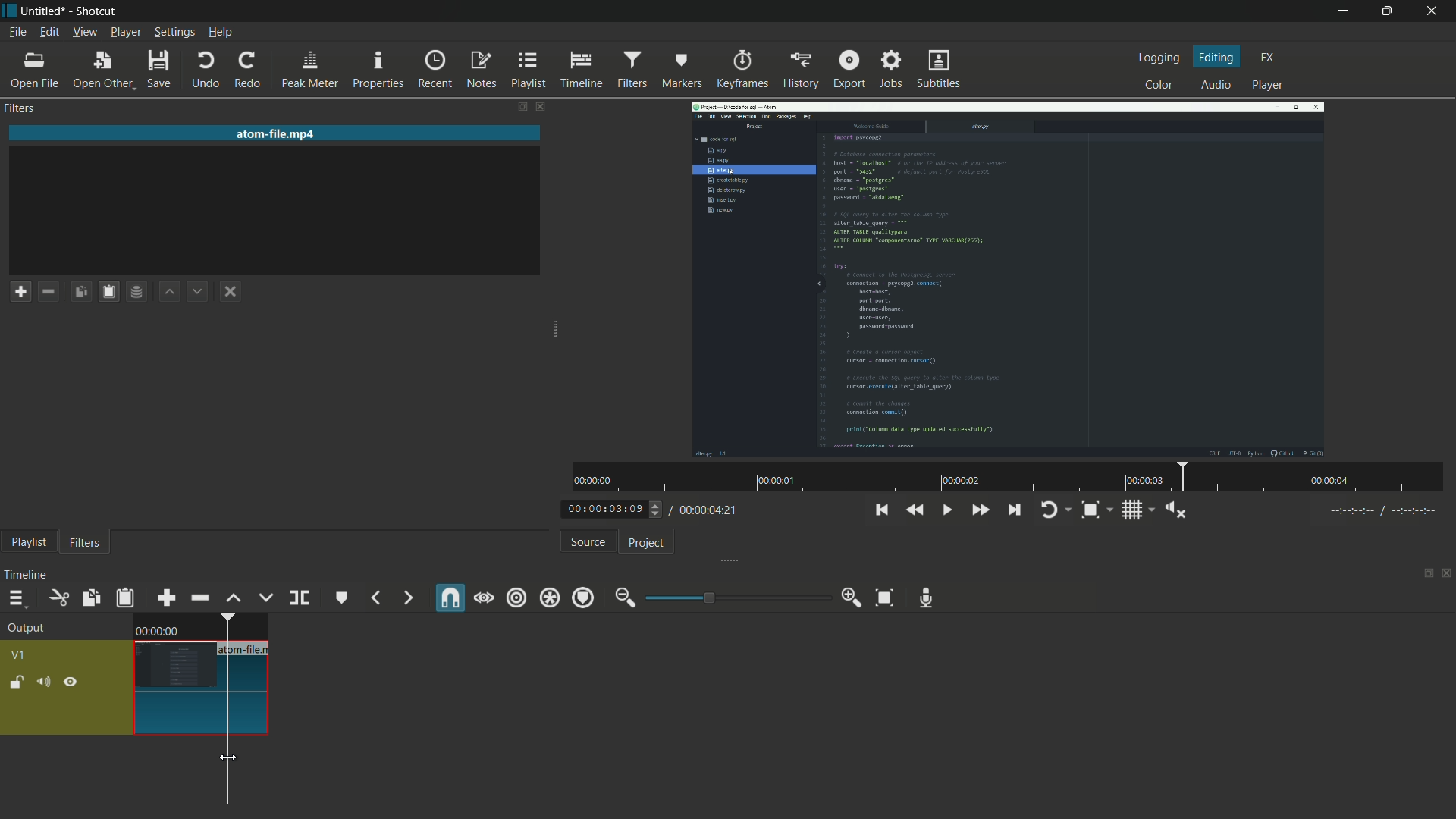 Image resolution: width=1456 pixels, height=819 pixels. Describe the element at coordinates (483, 598) in the screenshot. I see `scrub while dragging` at that location.